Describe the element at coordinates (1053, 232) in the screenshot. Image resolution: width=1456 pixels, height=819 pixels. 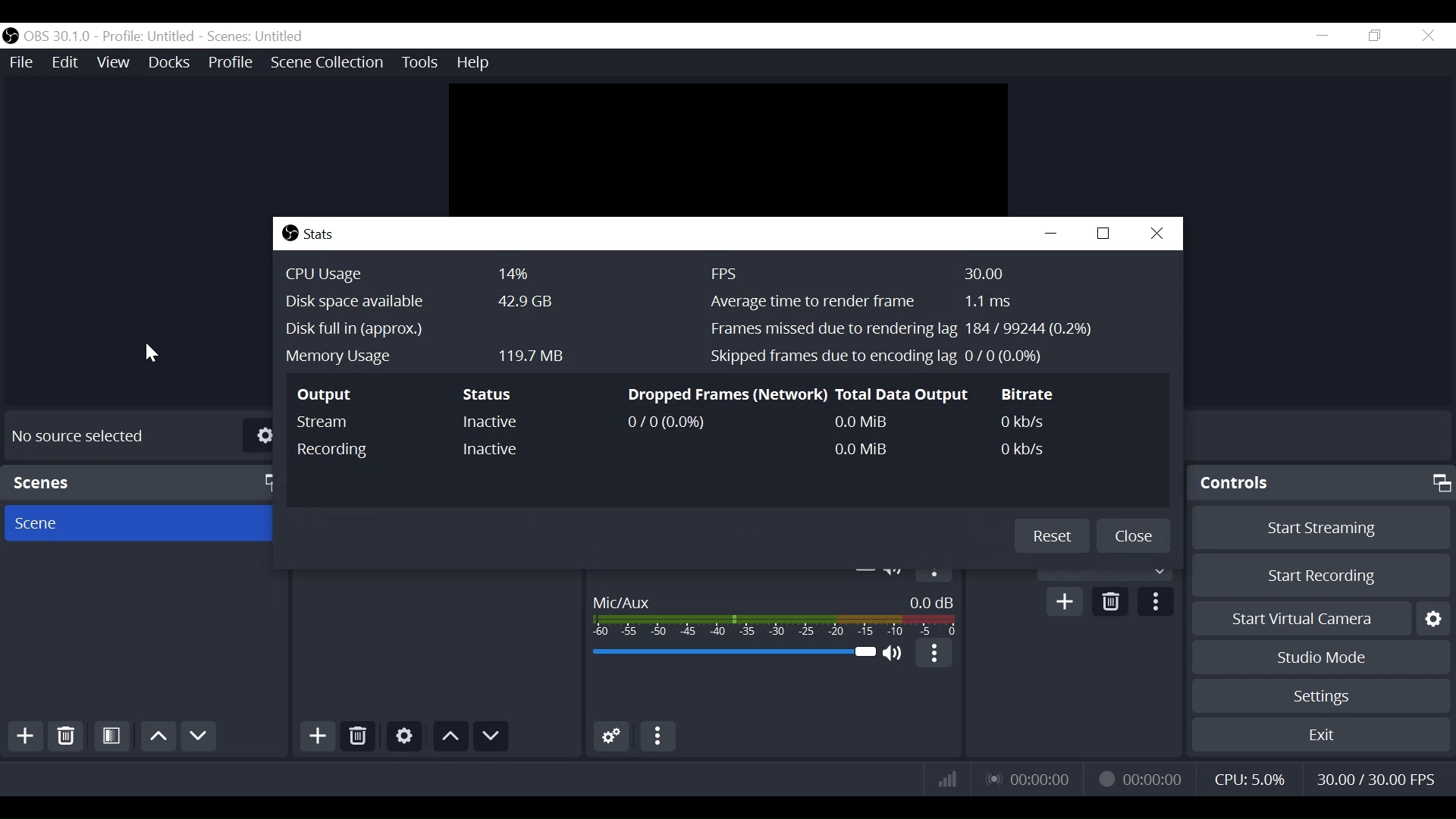
I see `minimize` at that location.